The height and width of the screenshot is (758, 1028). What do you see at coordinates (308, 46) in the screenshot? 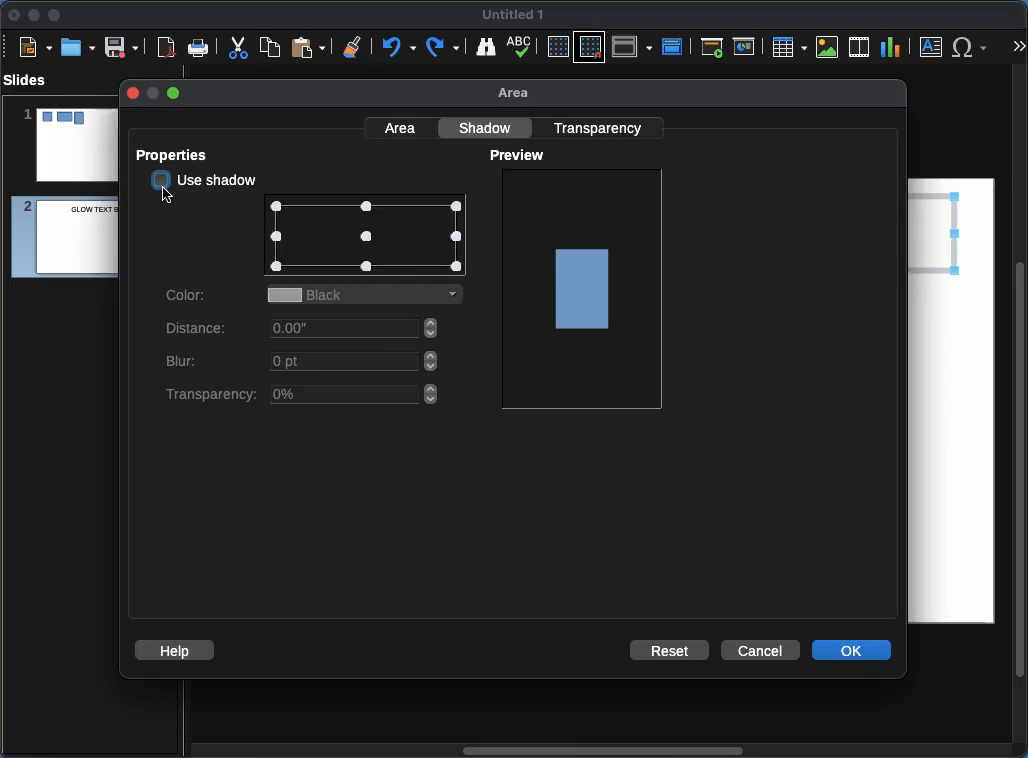
I see `Paste` at bounding box center [308, 46].